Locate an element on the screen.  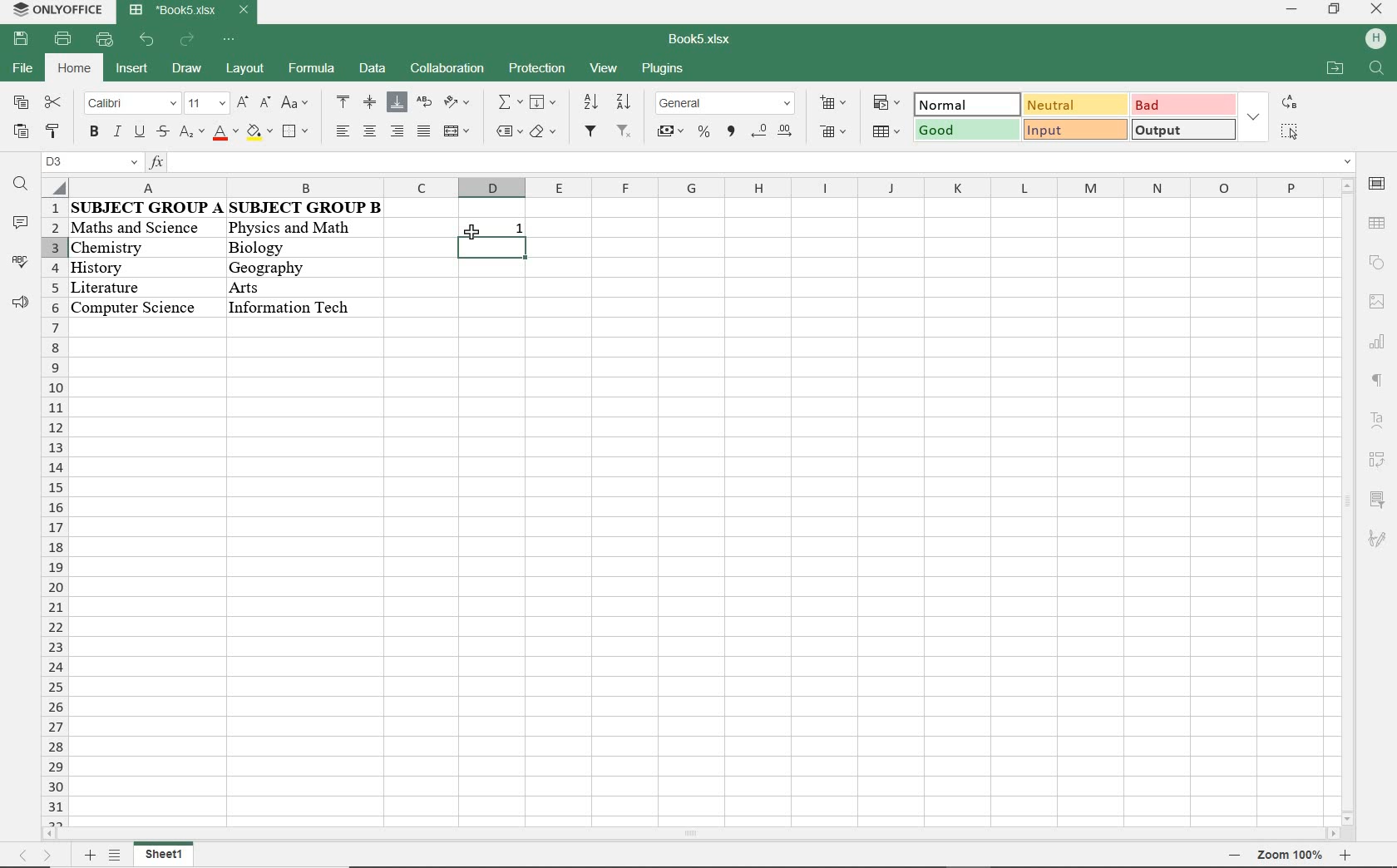
fill is located at coordinates (542, 101).